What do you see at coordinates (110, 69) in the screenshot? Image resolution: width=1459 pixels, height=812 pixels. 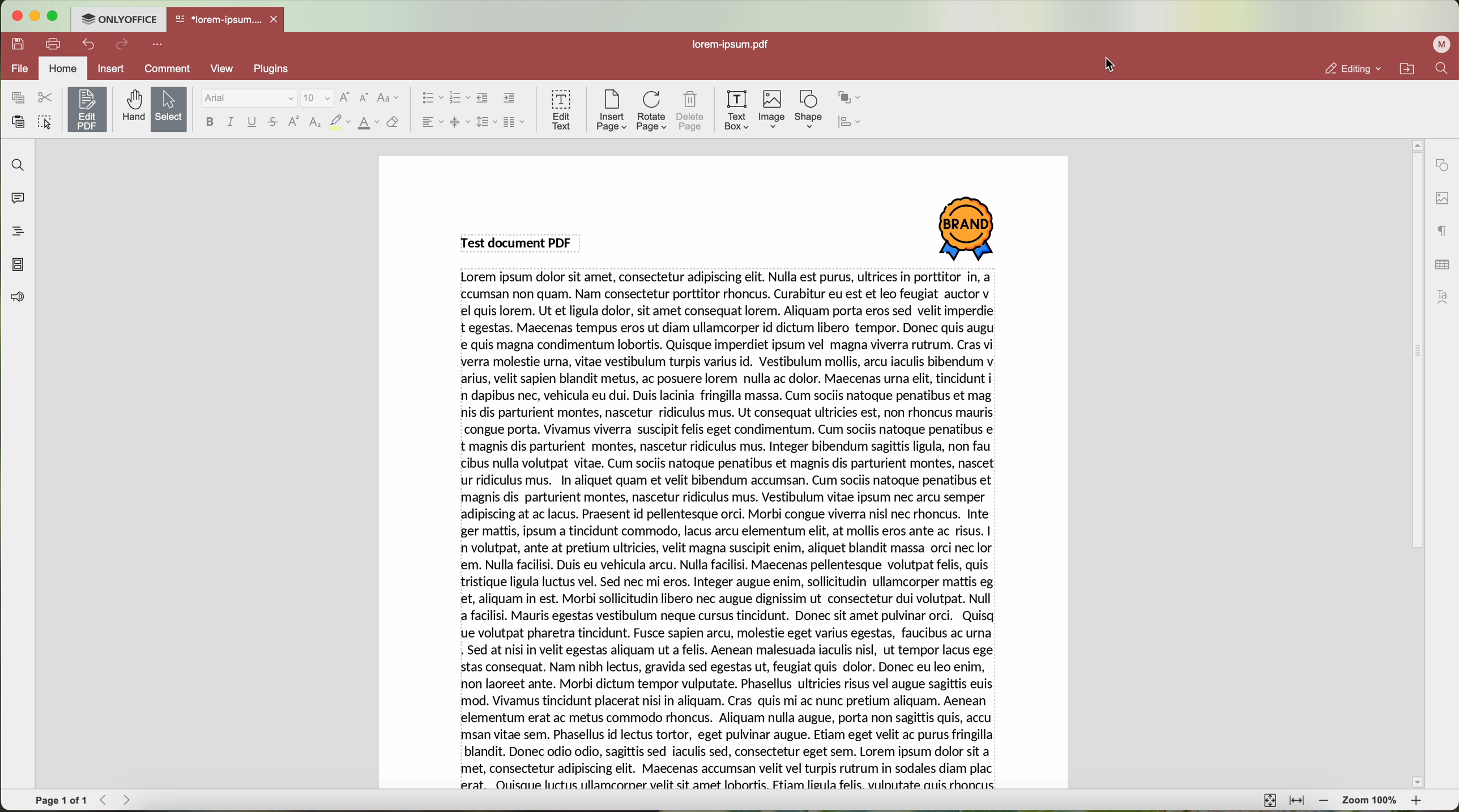 I see `insert` at bounding box center [110, 69].